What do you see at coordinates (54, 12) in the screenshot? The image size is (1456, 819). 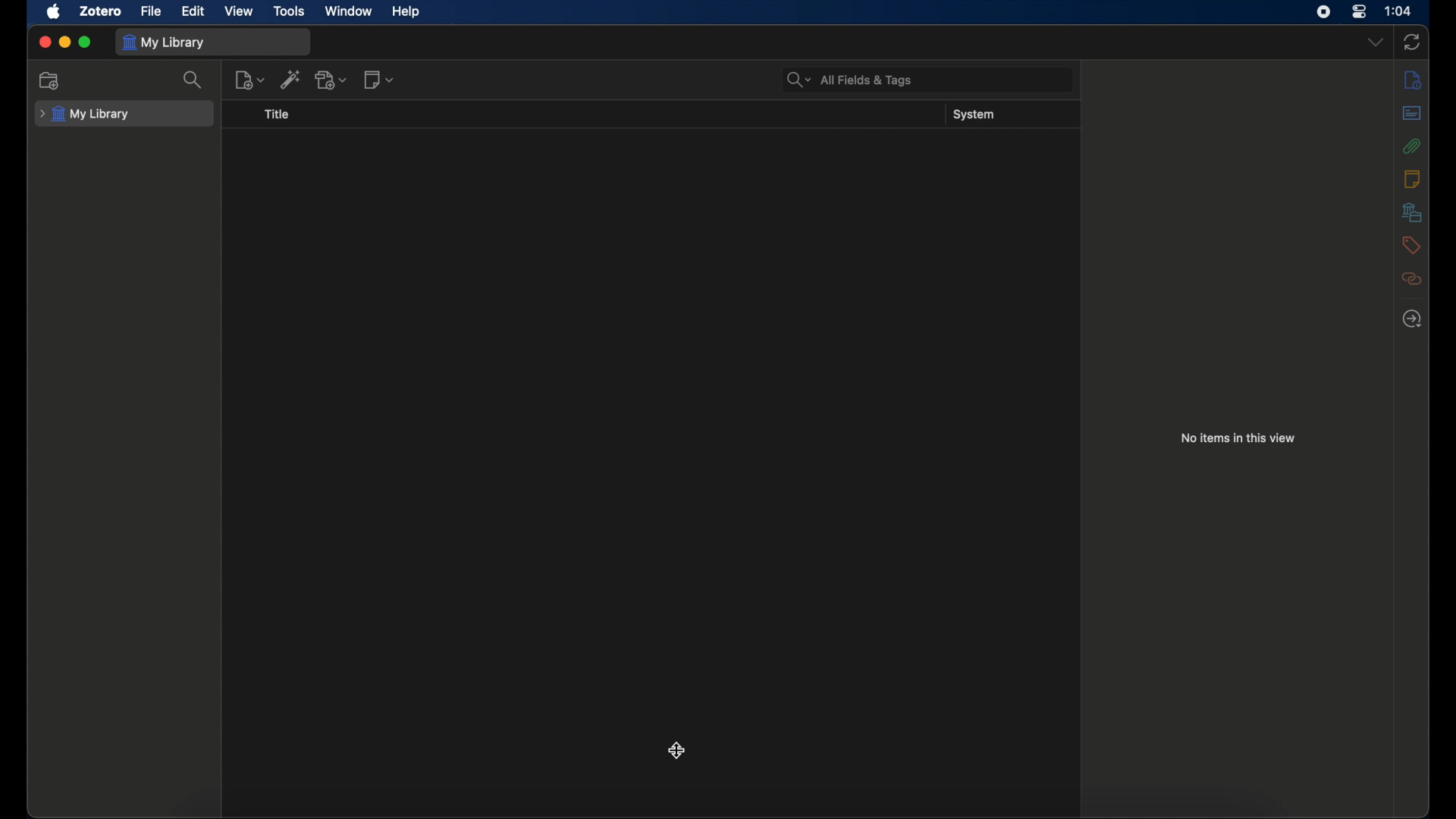 I see `apple` at bounding box center [54, 12].